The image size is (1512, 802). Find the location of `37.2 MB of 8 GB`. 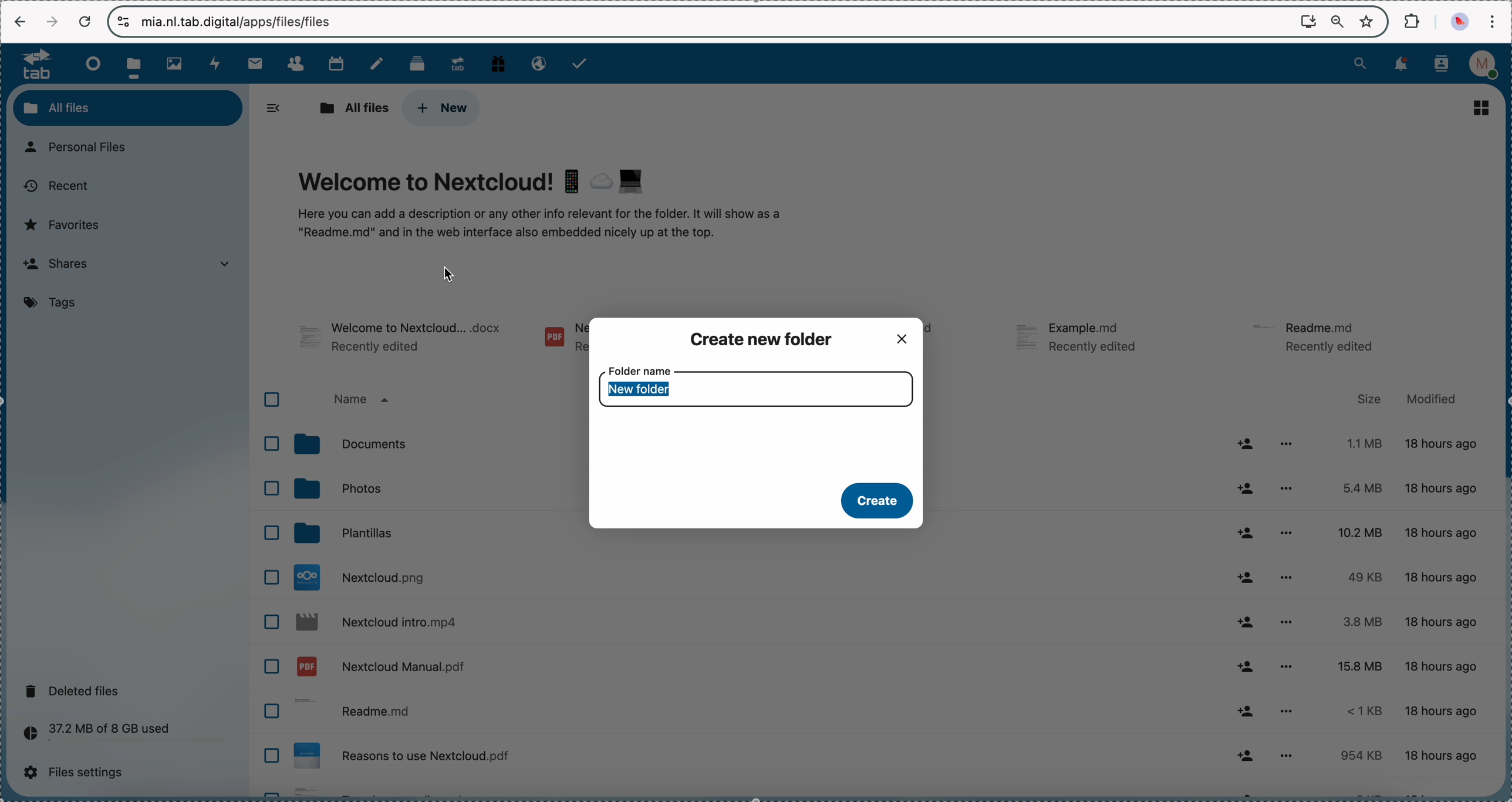

37.2 MB of 8 GB is located at coordinates (93, 735).